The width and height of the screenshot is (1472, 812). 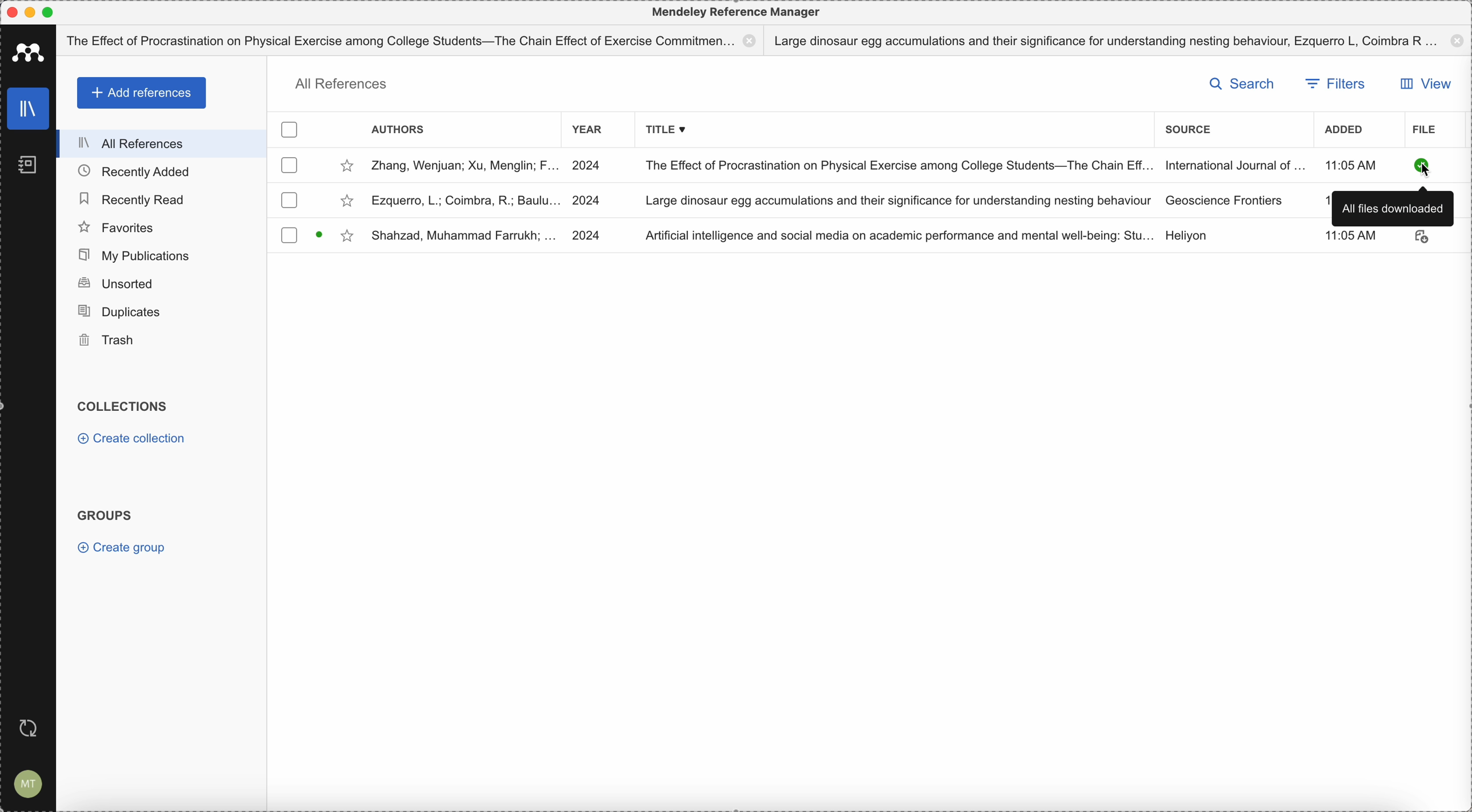 I want to click on 2024, so click(x=588, y=200).